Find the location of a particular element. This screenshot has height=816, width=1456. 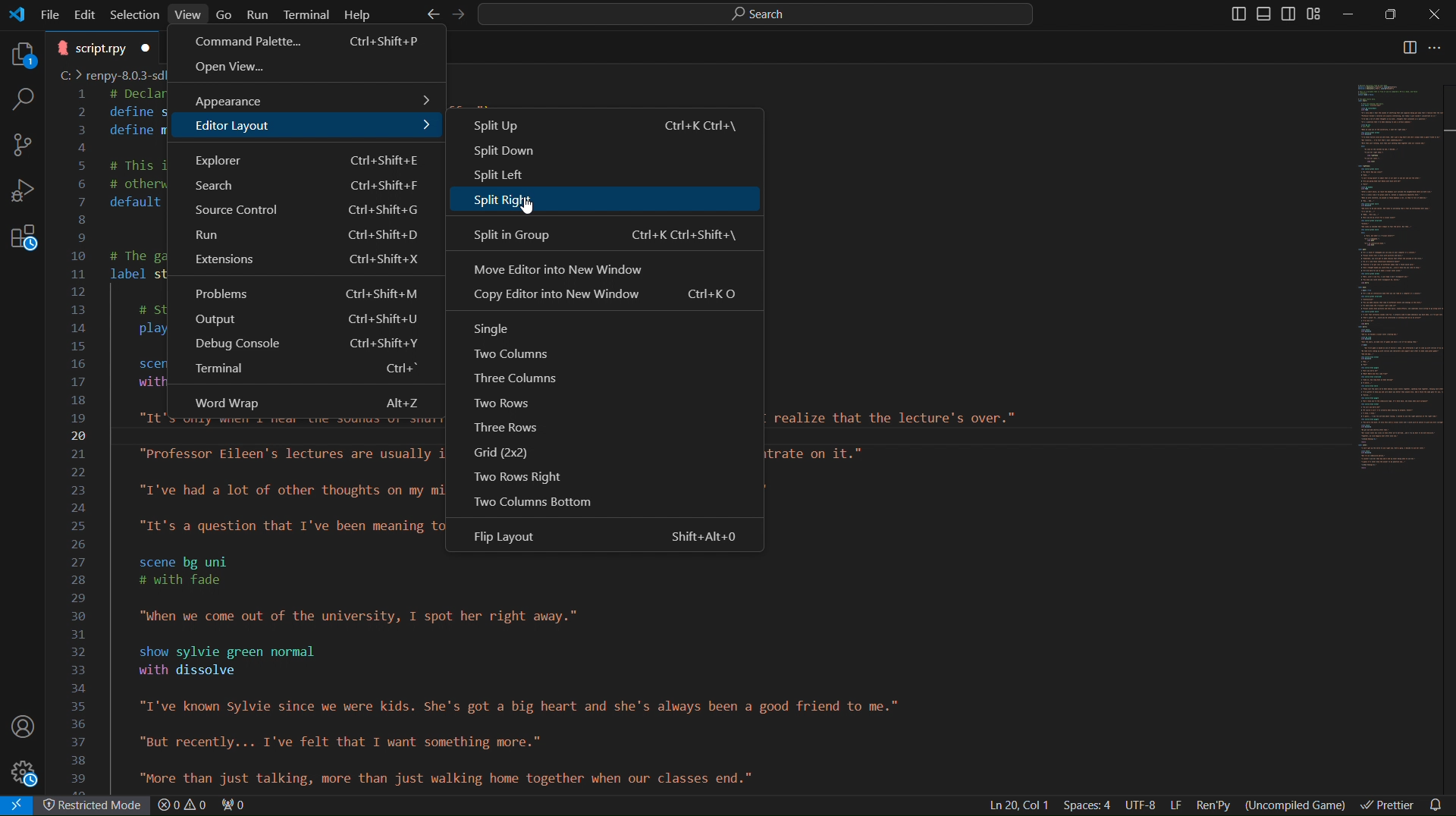

Split Left is located at coordinates (608, 178).